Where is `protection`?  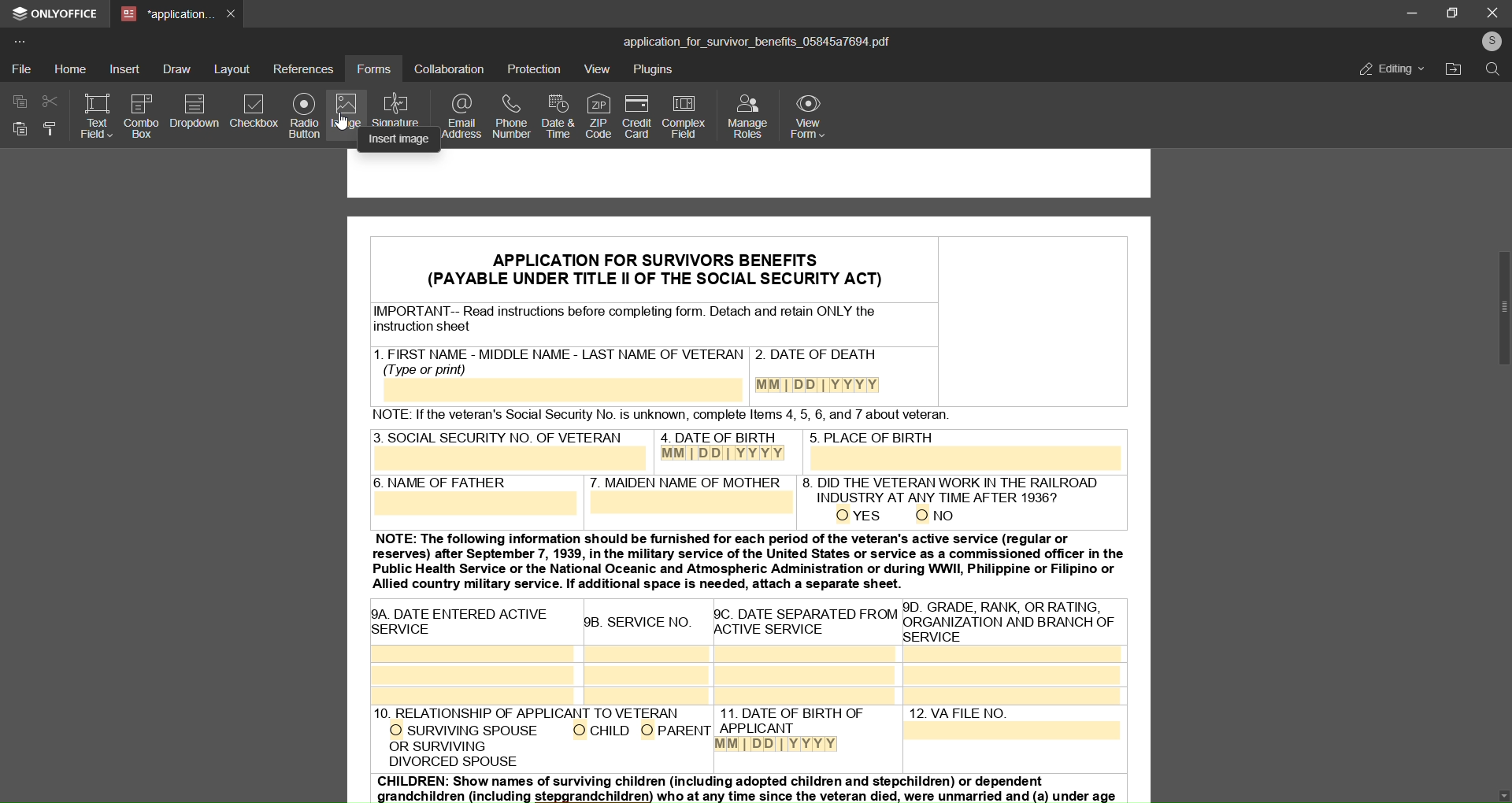 protection is located at coordinates (535, 68).